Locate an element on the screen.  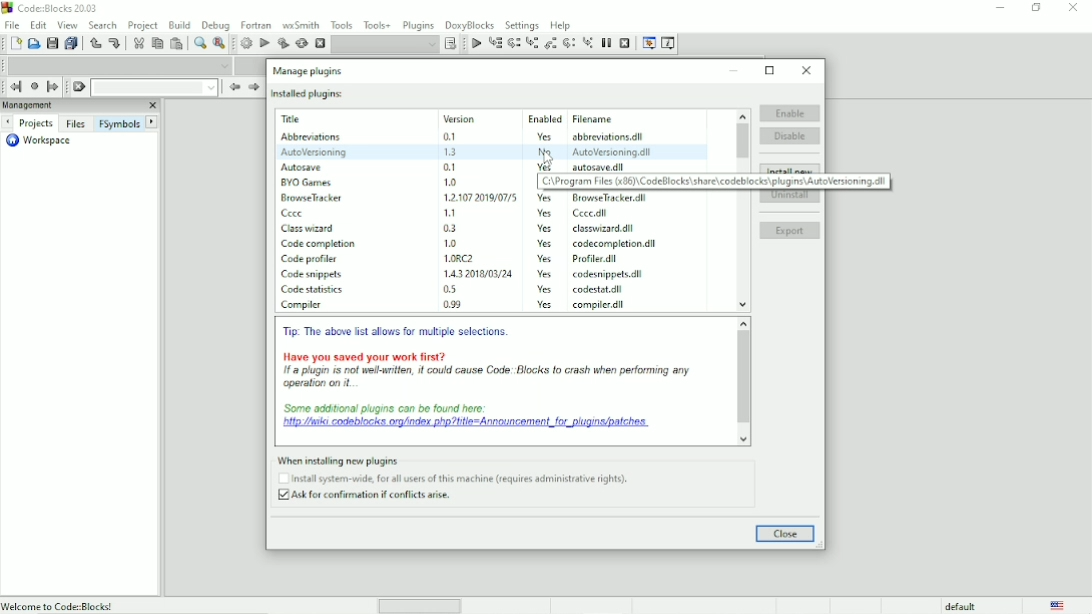
Close is located at coordinates (807, 71).